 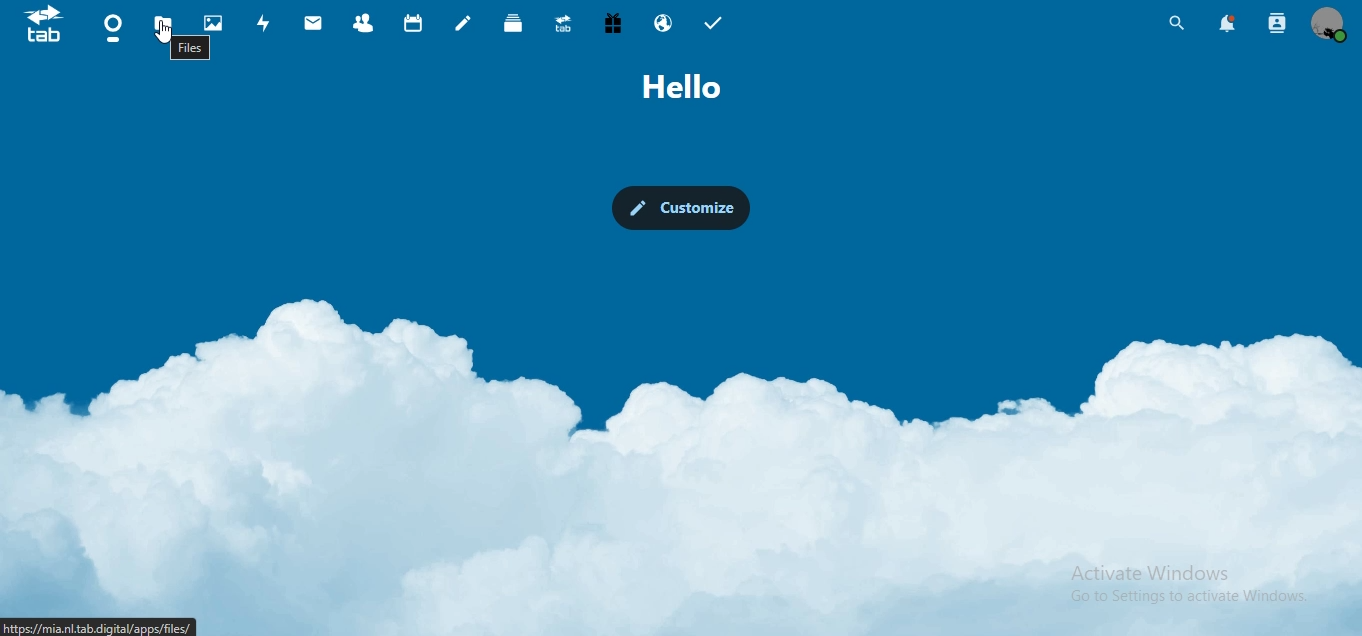 What do you see at coordinates (115, 29) in the screenshot?
I see `dashboard` at bounding box center [115, 29].